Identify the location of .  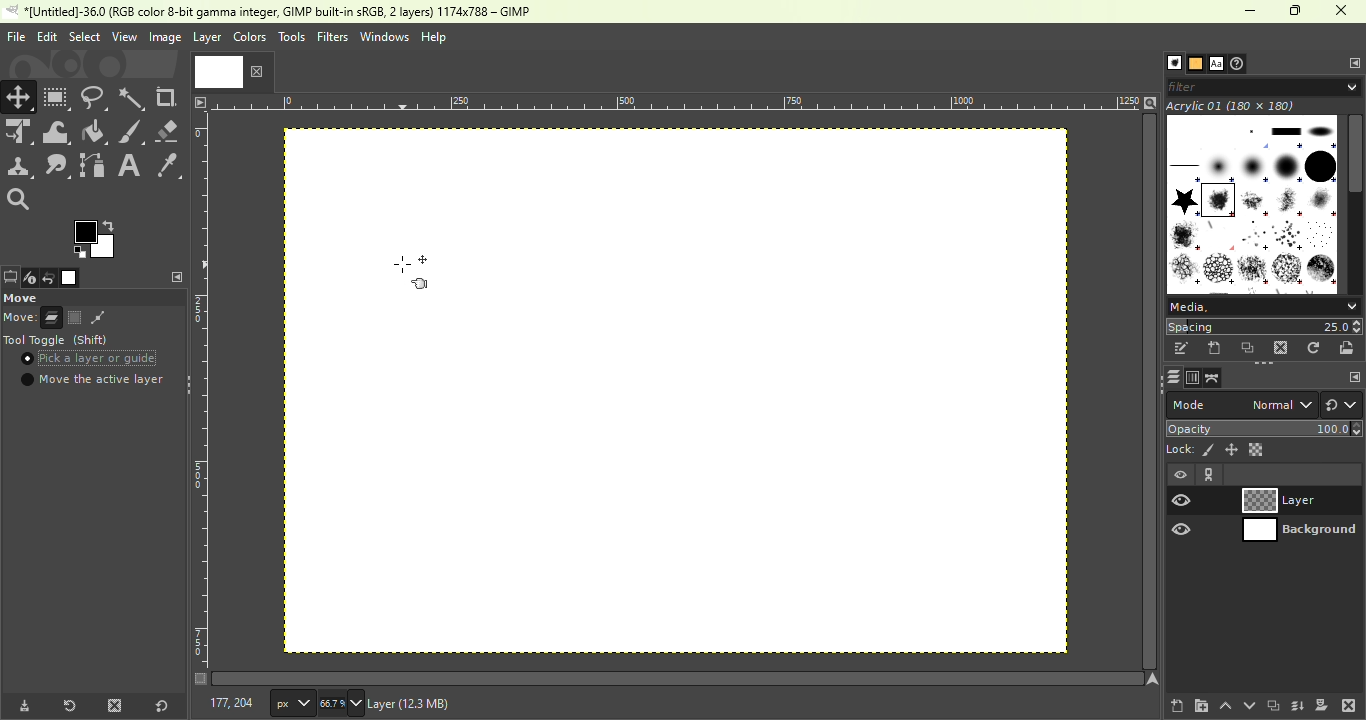
(83, 37).